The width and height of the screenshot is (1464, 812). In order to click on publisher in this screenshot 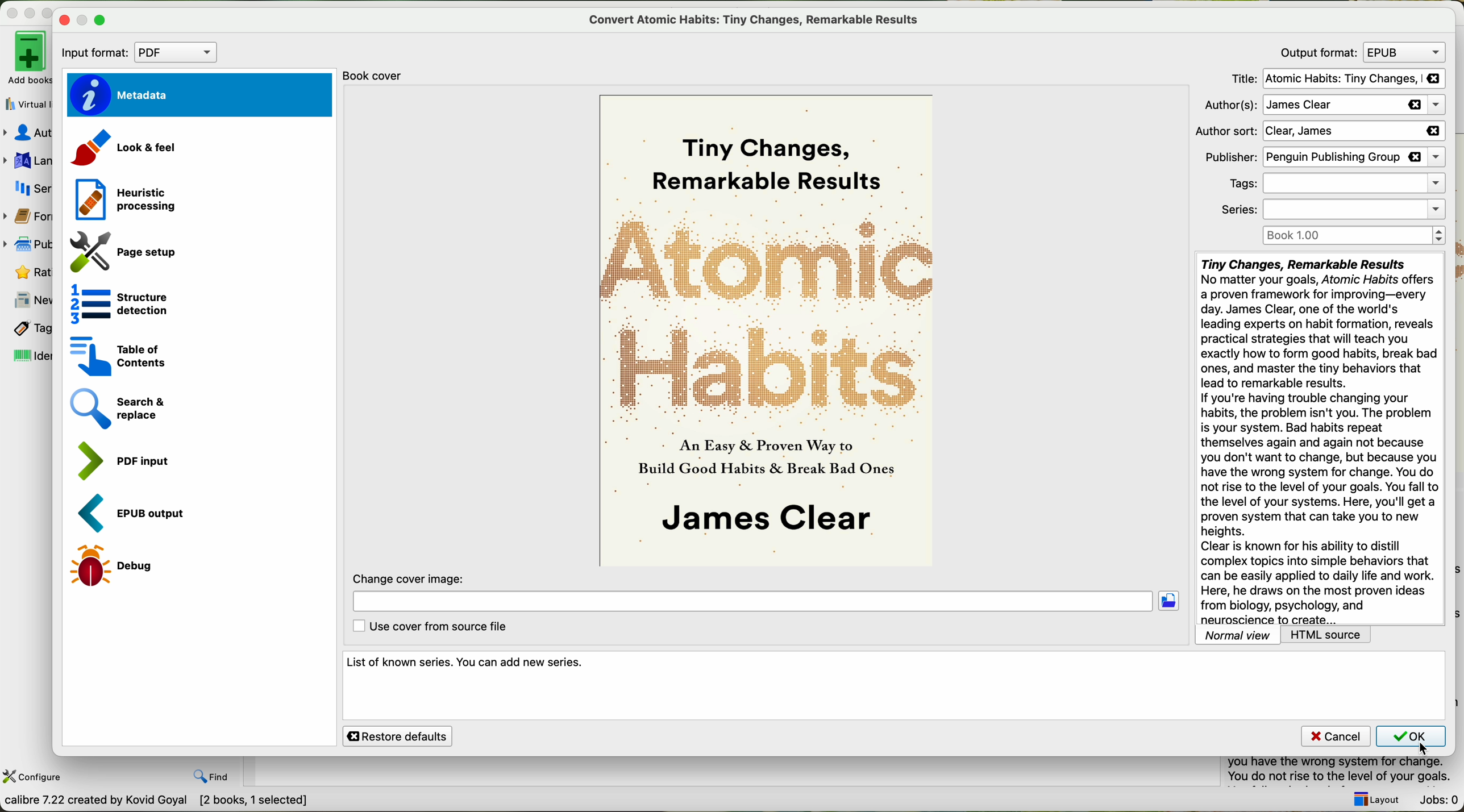, I will do `click(28, 244)`.